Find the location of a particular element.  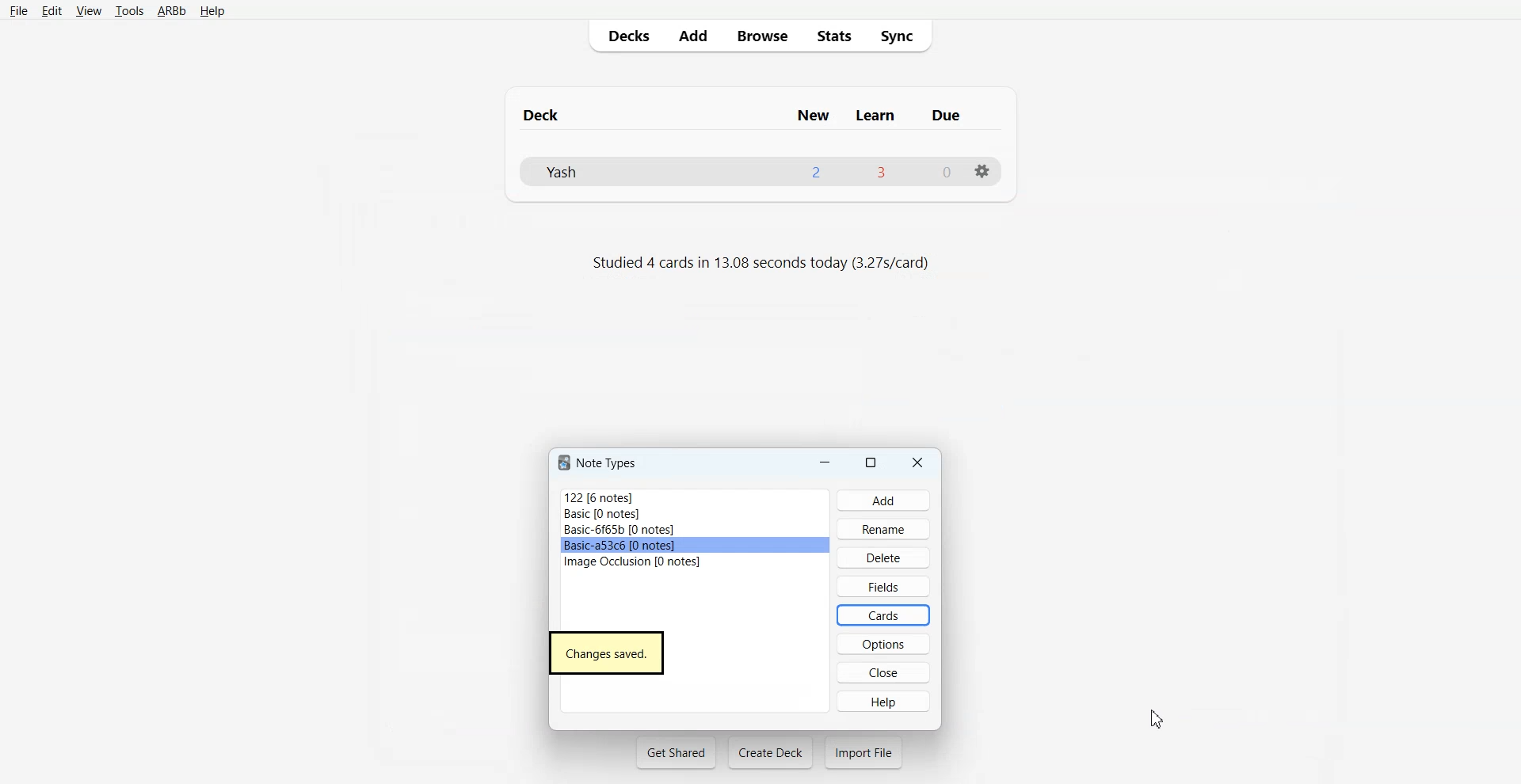

Studied 4 cards in 13.08 seconds today (3.27s/card) is located at coordinates (764, 264).